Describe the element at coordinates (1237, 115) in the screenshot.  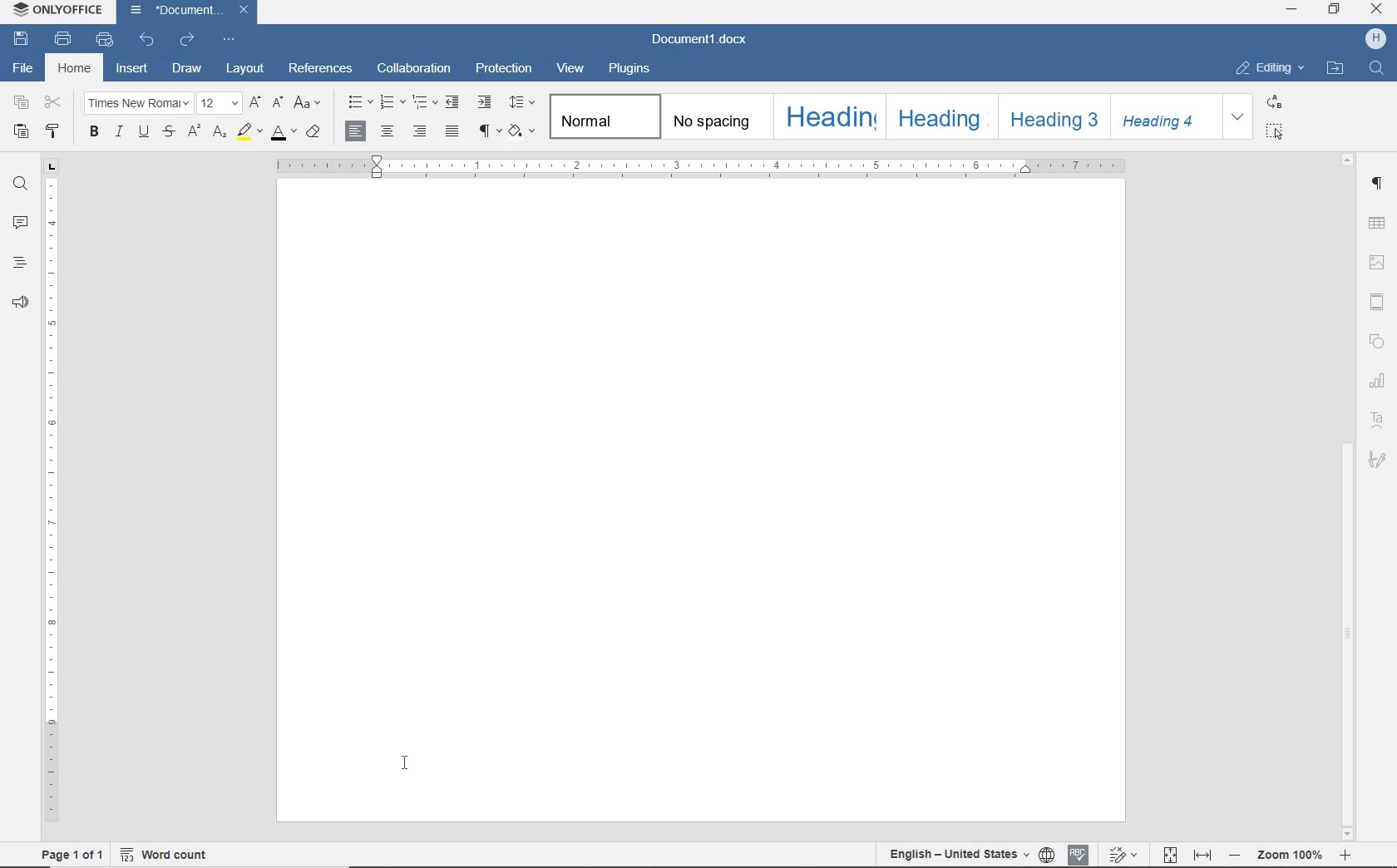
I see `expand` at that location.